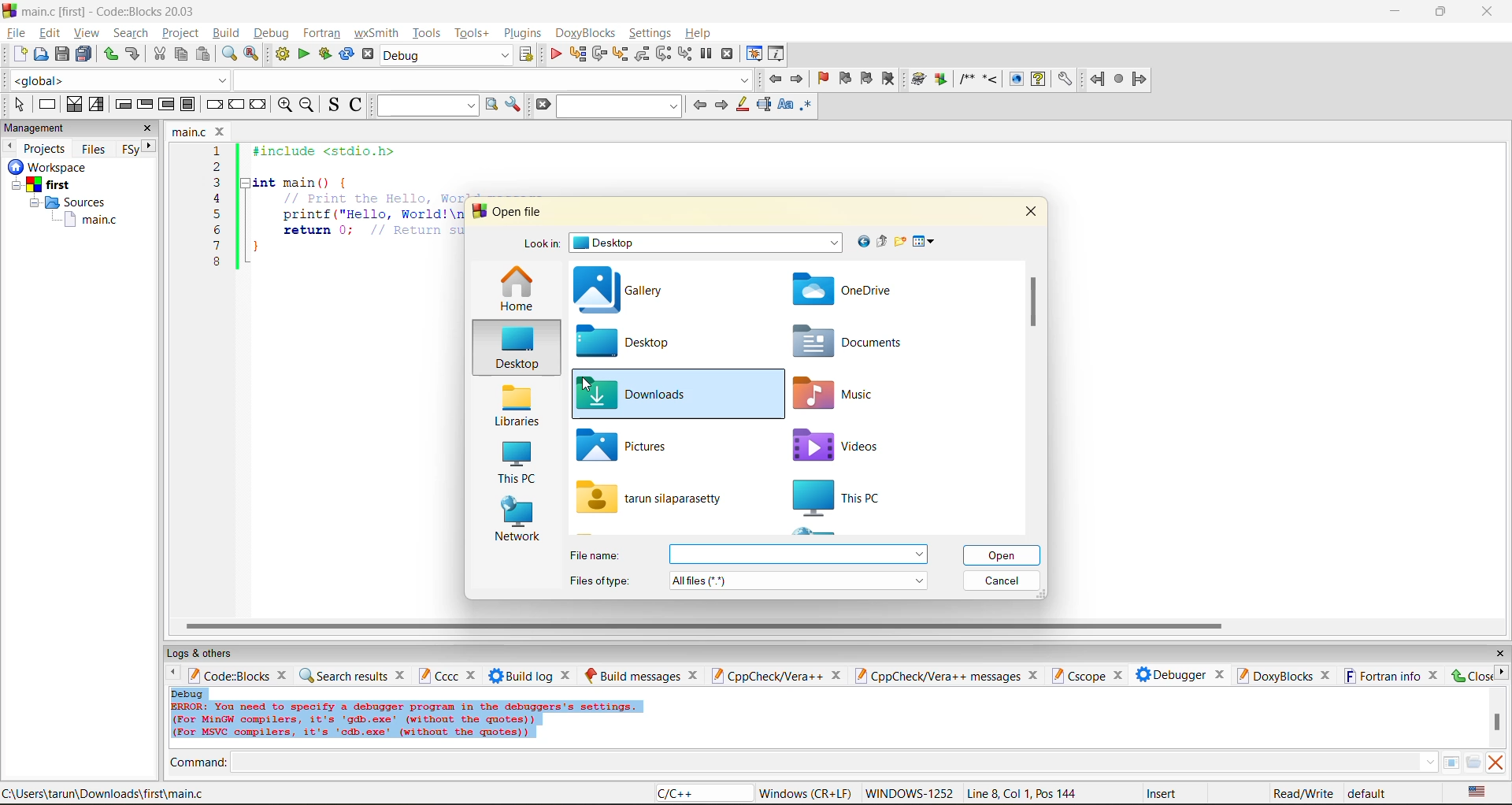 The width and height of the screenshot is (1512, 805). What do you see at coordinates (256, 249) in the screenshot?
I see `}` at bounding box center [256, 249].